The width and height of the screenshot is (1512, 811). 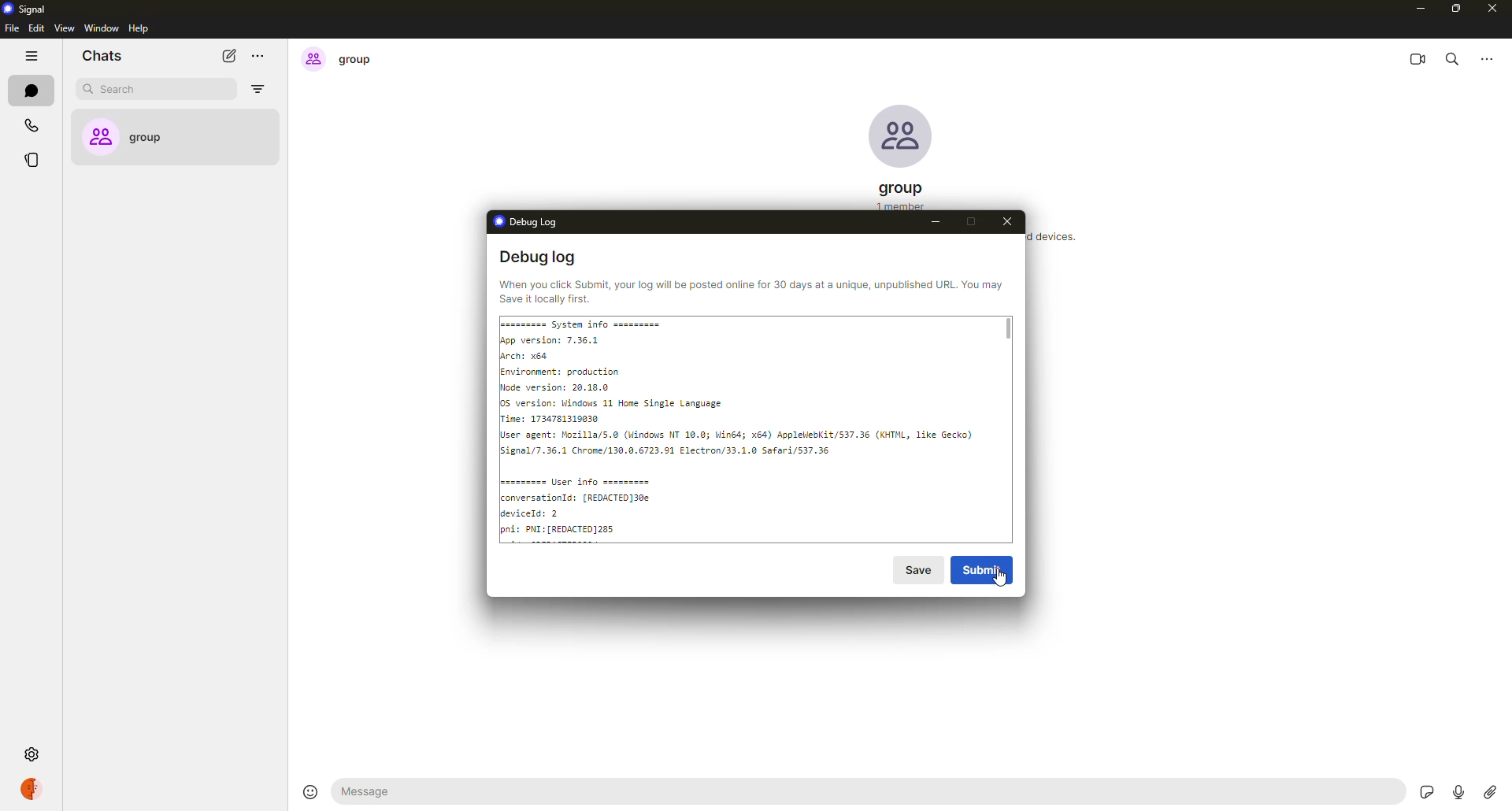 I want to click on close, so click(x=1494, y=10).